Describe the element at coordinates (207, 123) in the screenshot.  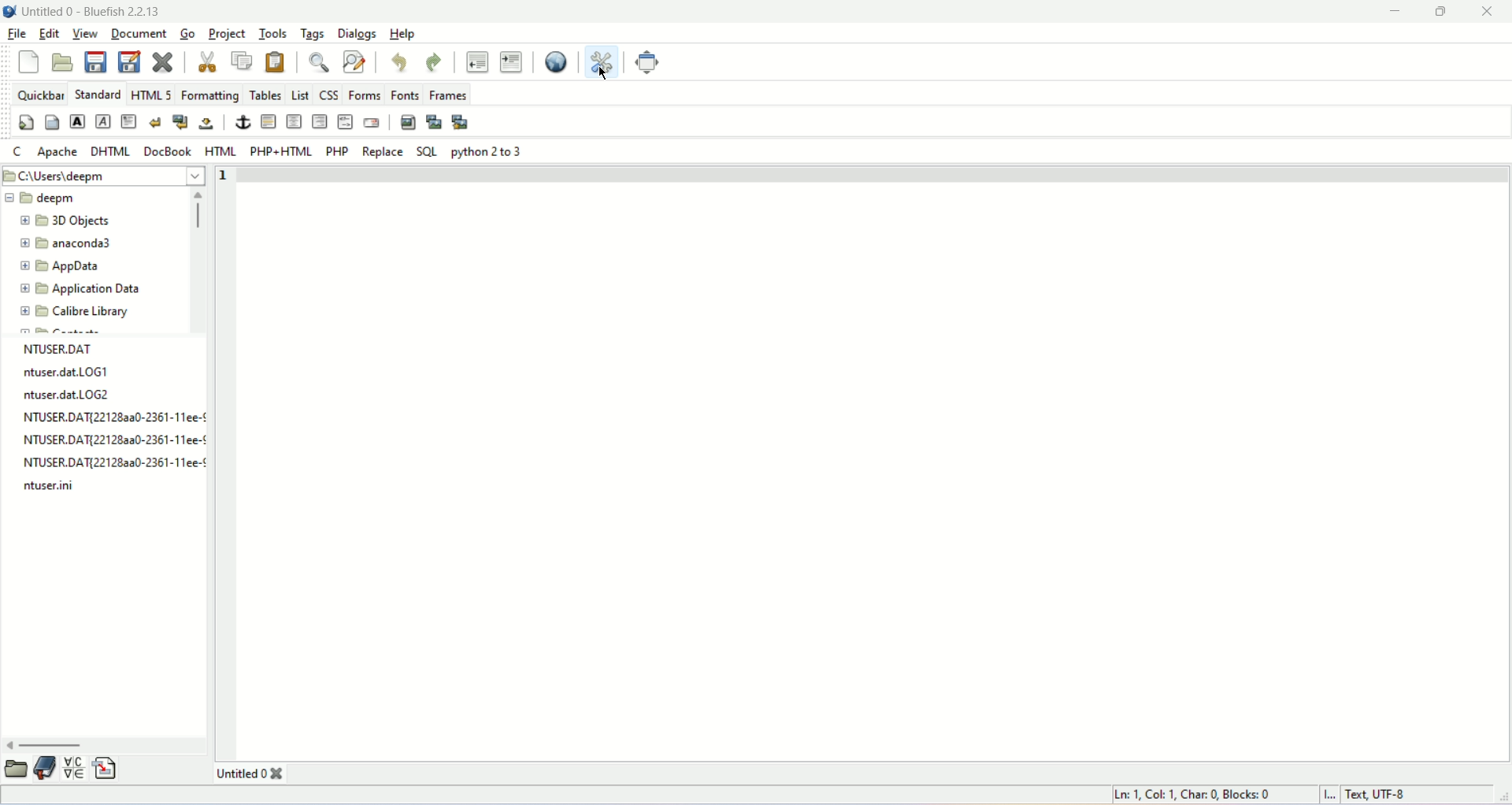
I see `non breaking space` at that location.